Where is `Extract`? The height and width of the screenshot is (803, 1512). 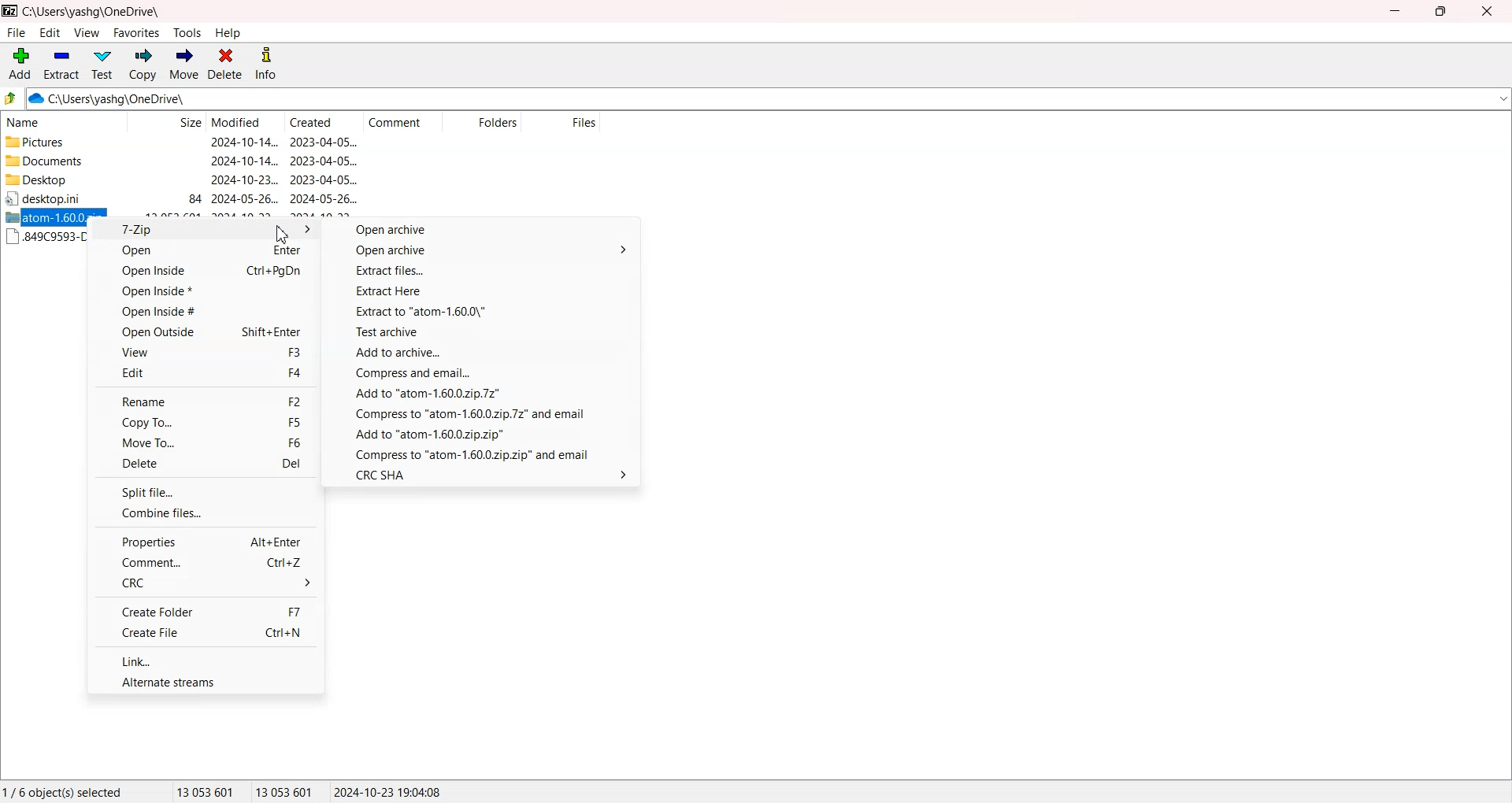
Extract is located at coordinates (61, 64).